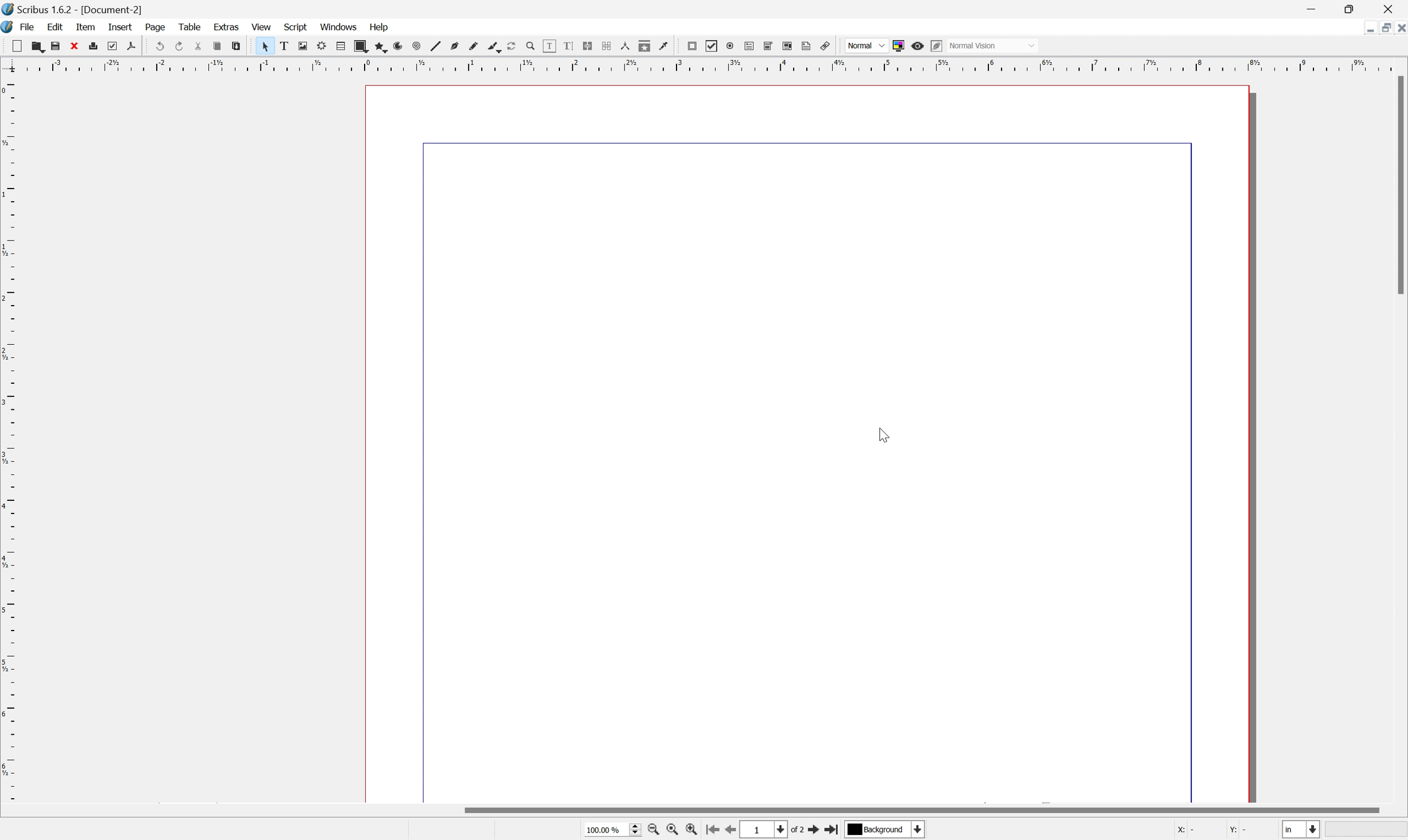  I want to click on Rotate item, so click(511, 46).